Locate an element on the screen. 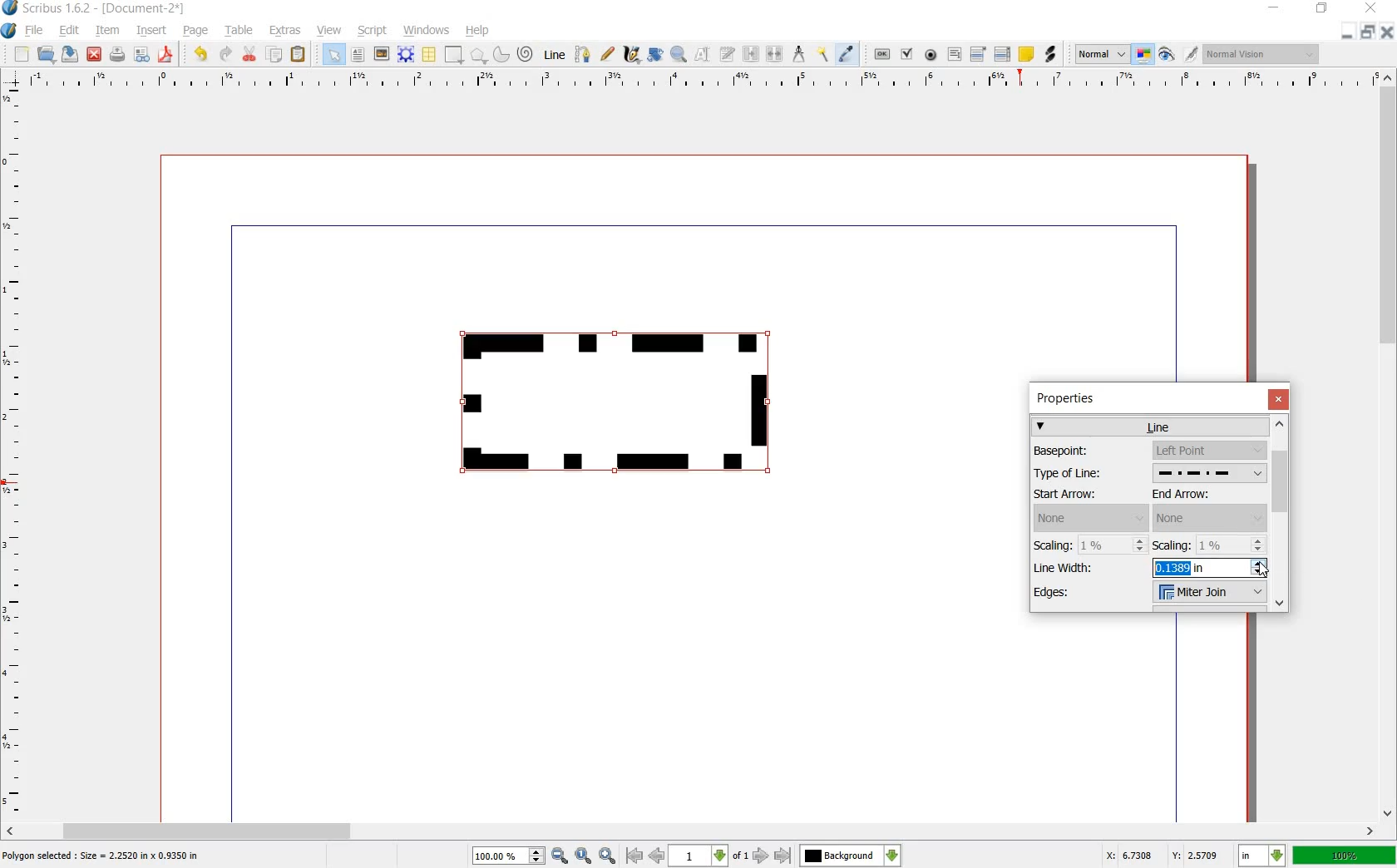 The image size is (1397, 868). 0.1389 in is located at coordinates (1211, 570).